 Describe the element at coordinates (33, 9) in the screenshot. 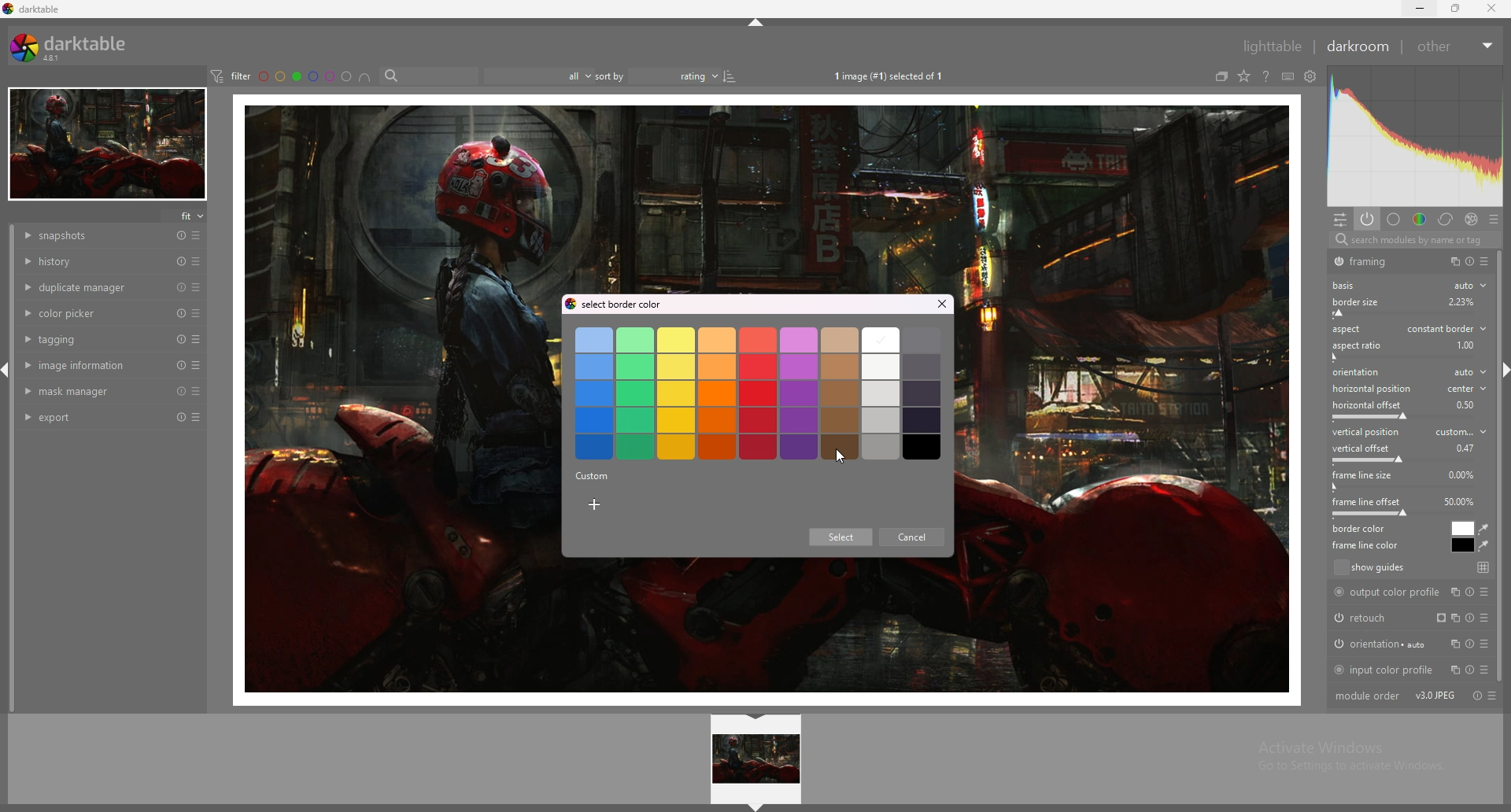

I see `darktable` at that location.